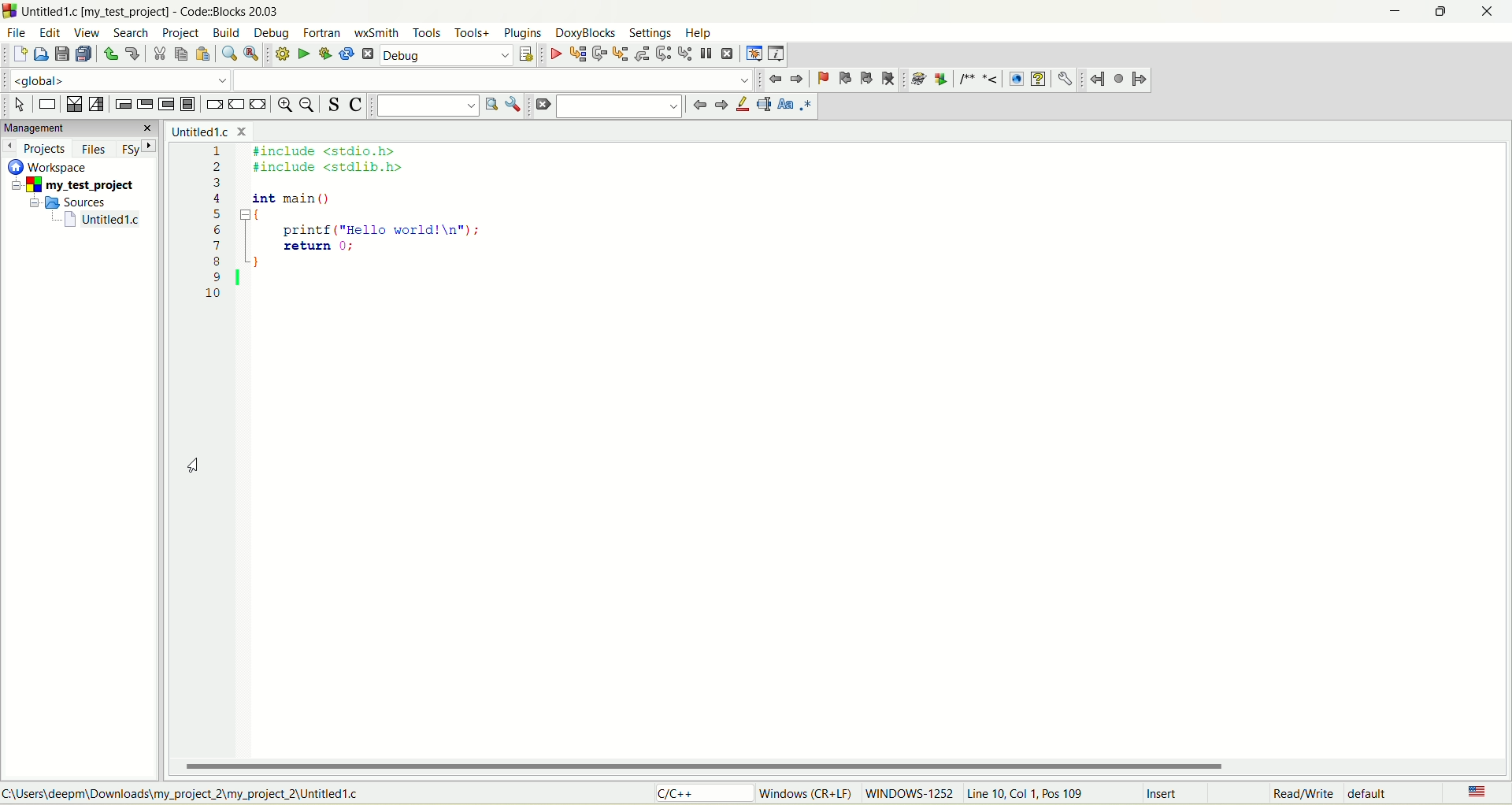  I want to click on preferences, so click(1069, 80).